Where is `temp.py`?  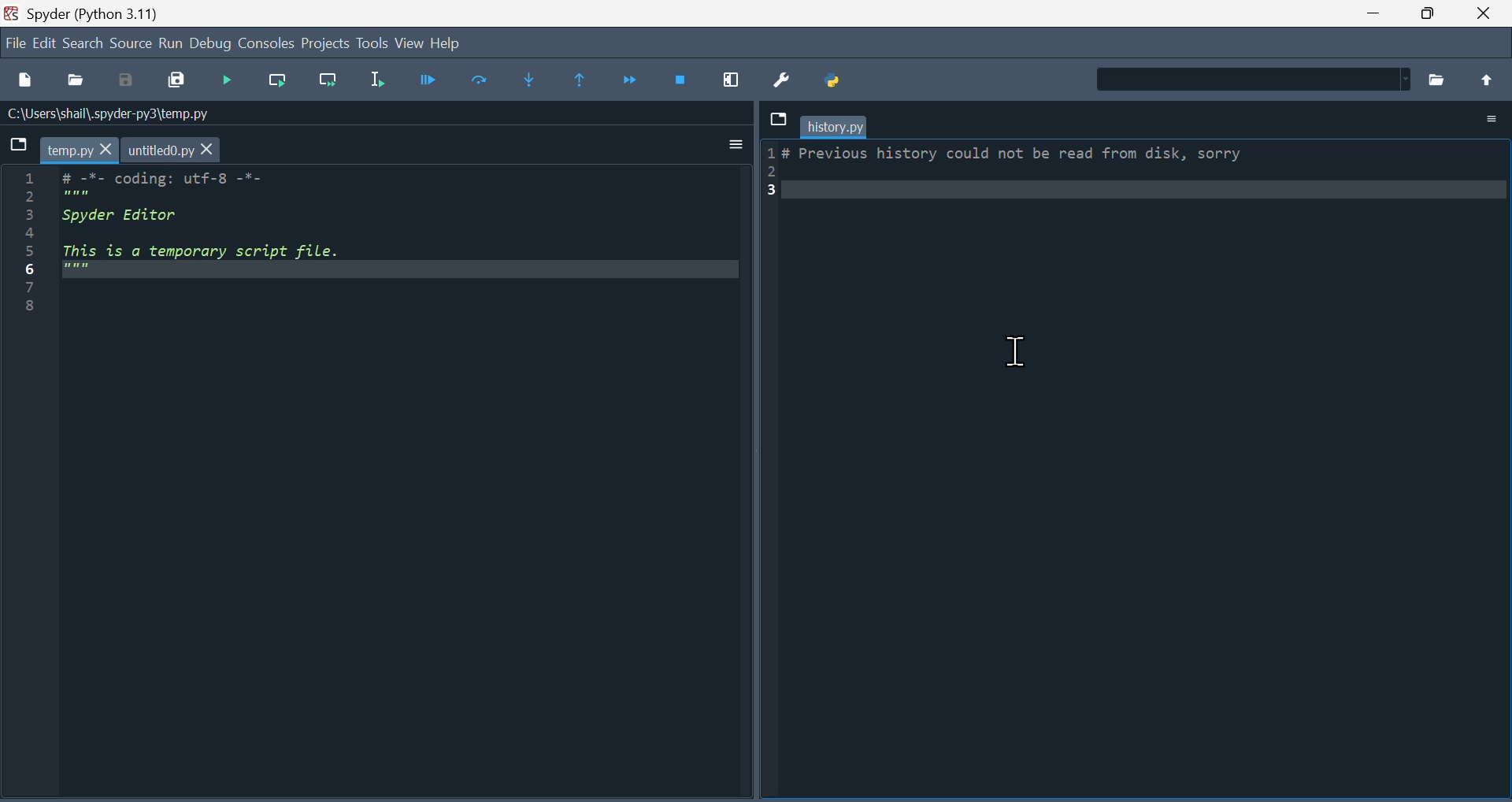 temp.py is located at coordinates (78, 149).